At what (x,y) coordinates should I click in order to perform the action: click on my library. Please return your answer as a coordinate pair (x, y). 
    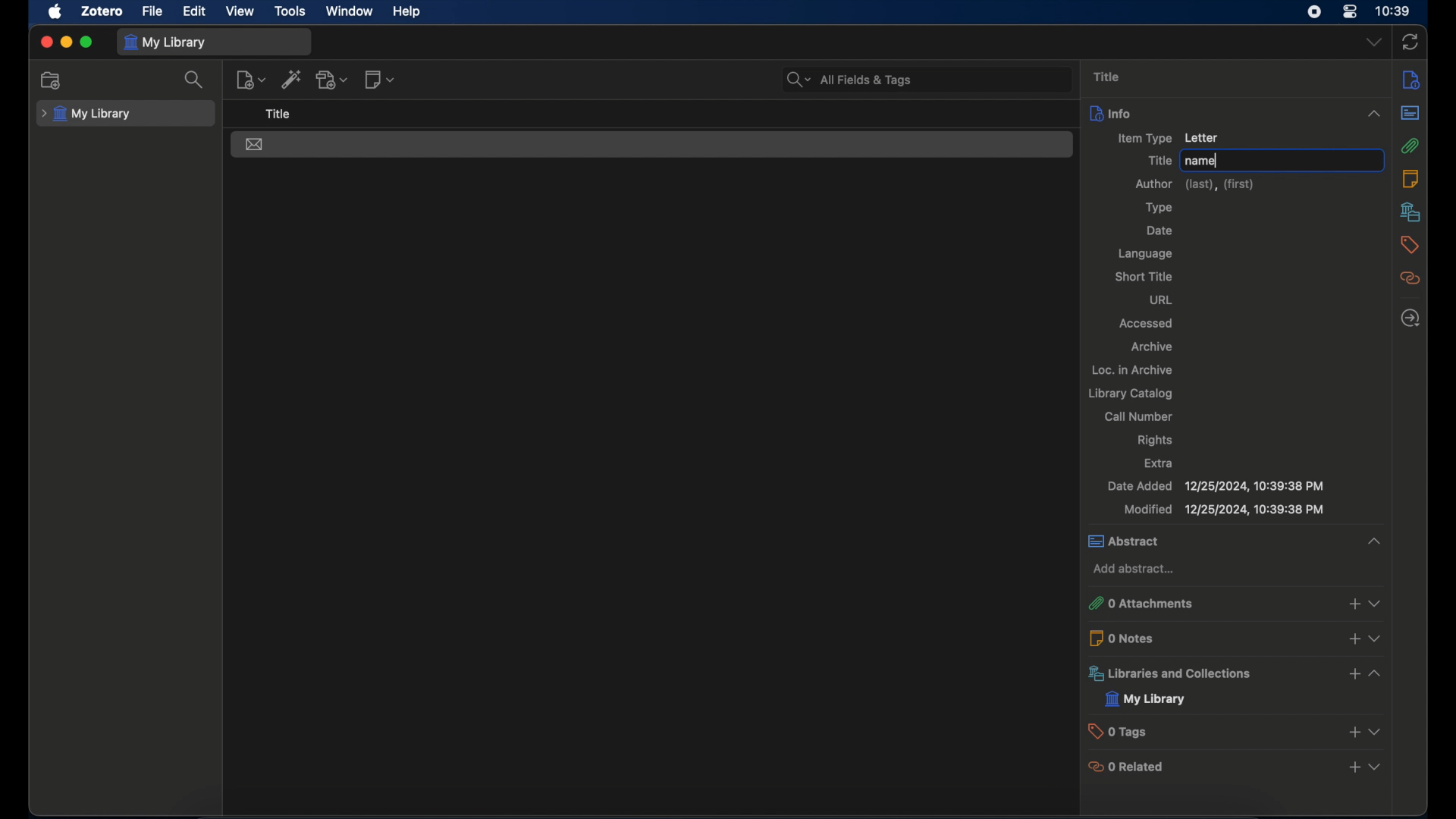
    Looking at the image, I should click on (168, 42).